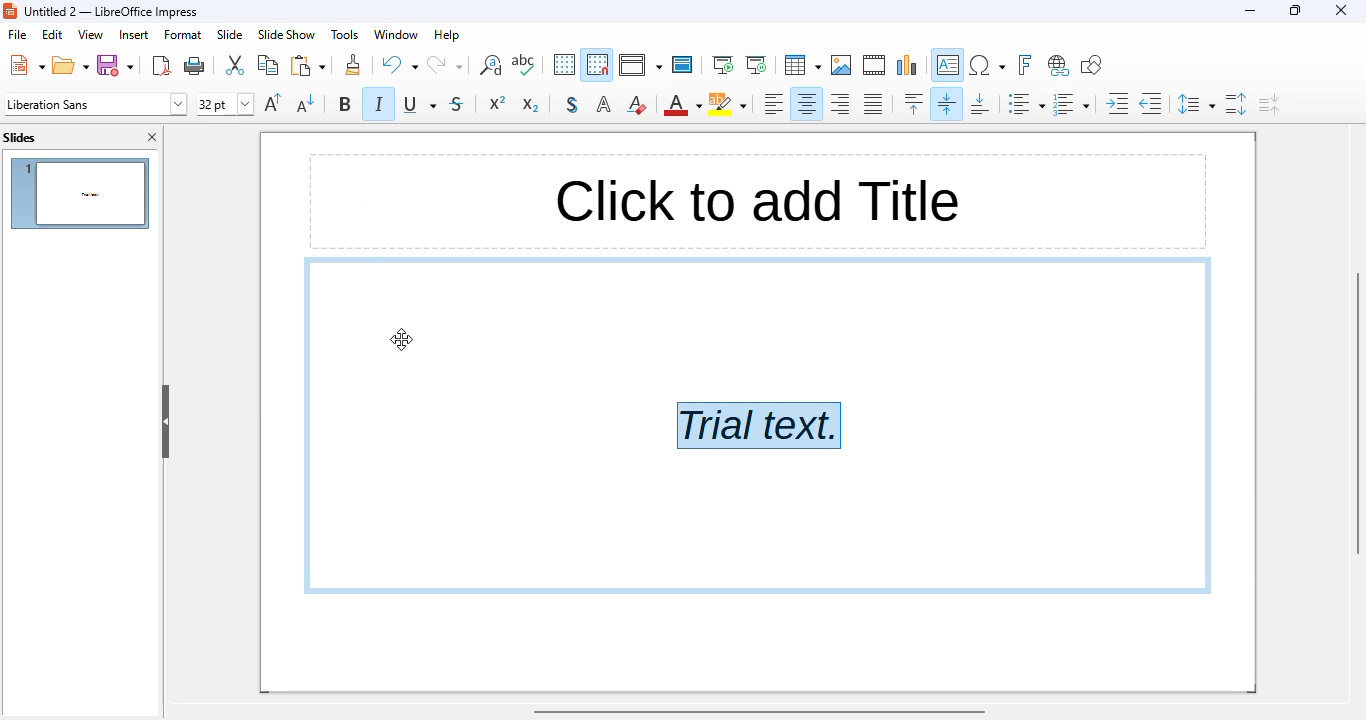 The image size is (1366, 720). What do you see at coordinates (26, 64) in the screenshot?
I see `new` at bounding box center [26, 64].